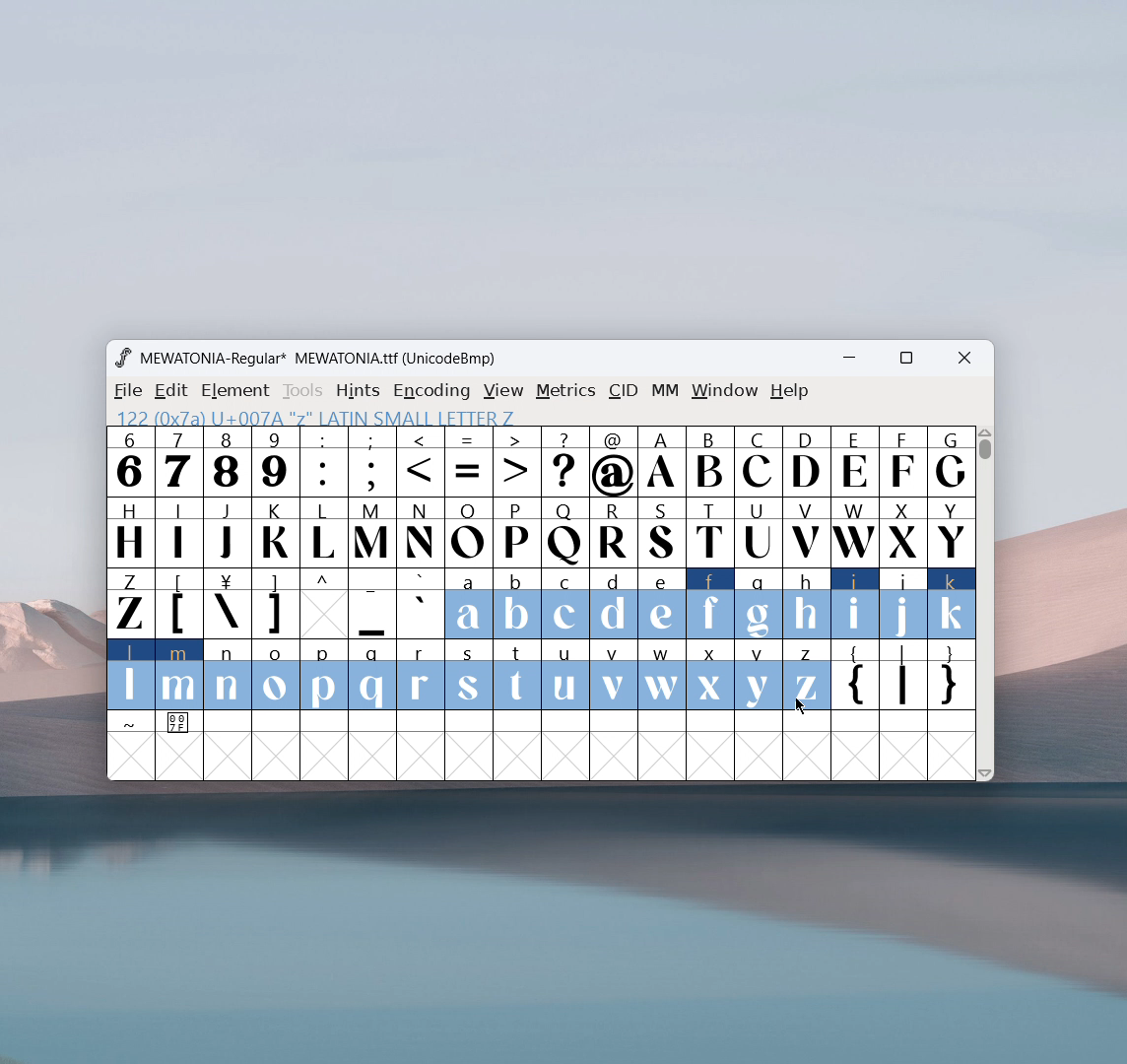  I want to click on R, so click(613, 534).